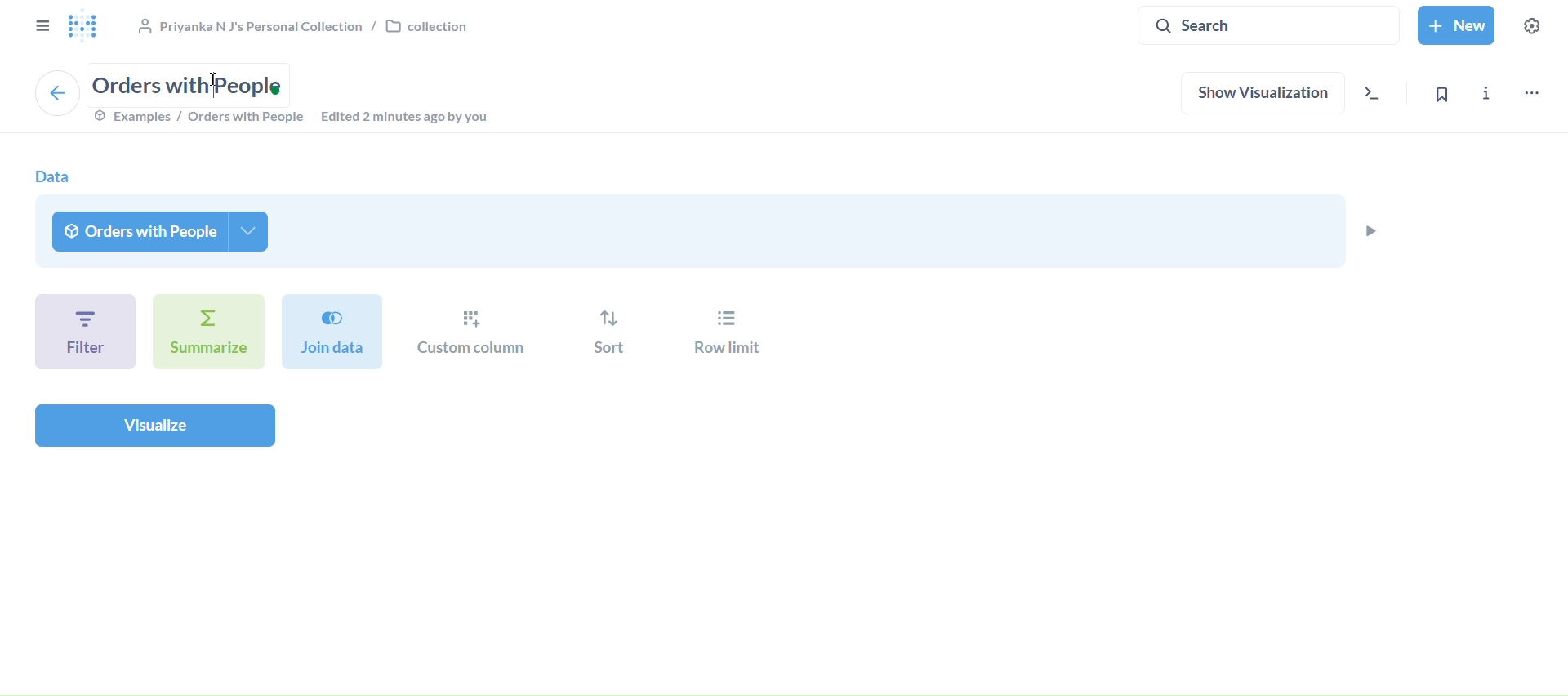  What do you see at coordinates (301, 25) in the screenshot?
I see `collection` at bounding box center [301, 25].